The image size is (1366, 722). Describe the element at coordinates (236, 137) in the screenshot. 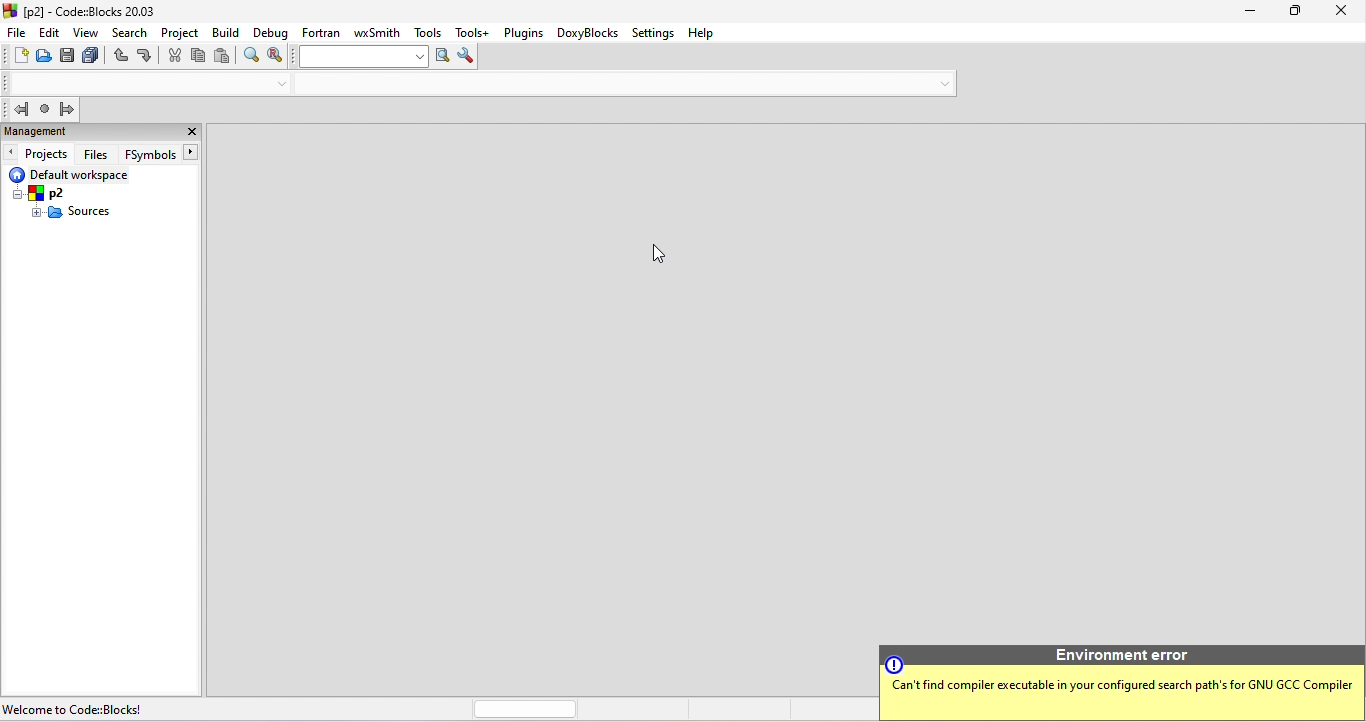

I see `start here` at that location.